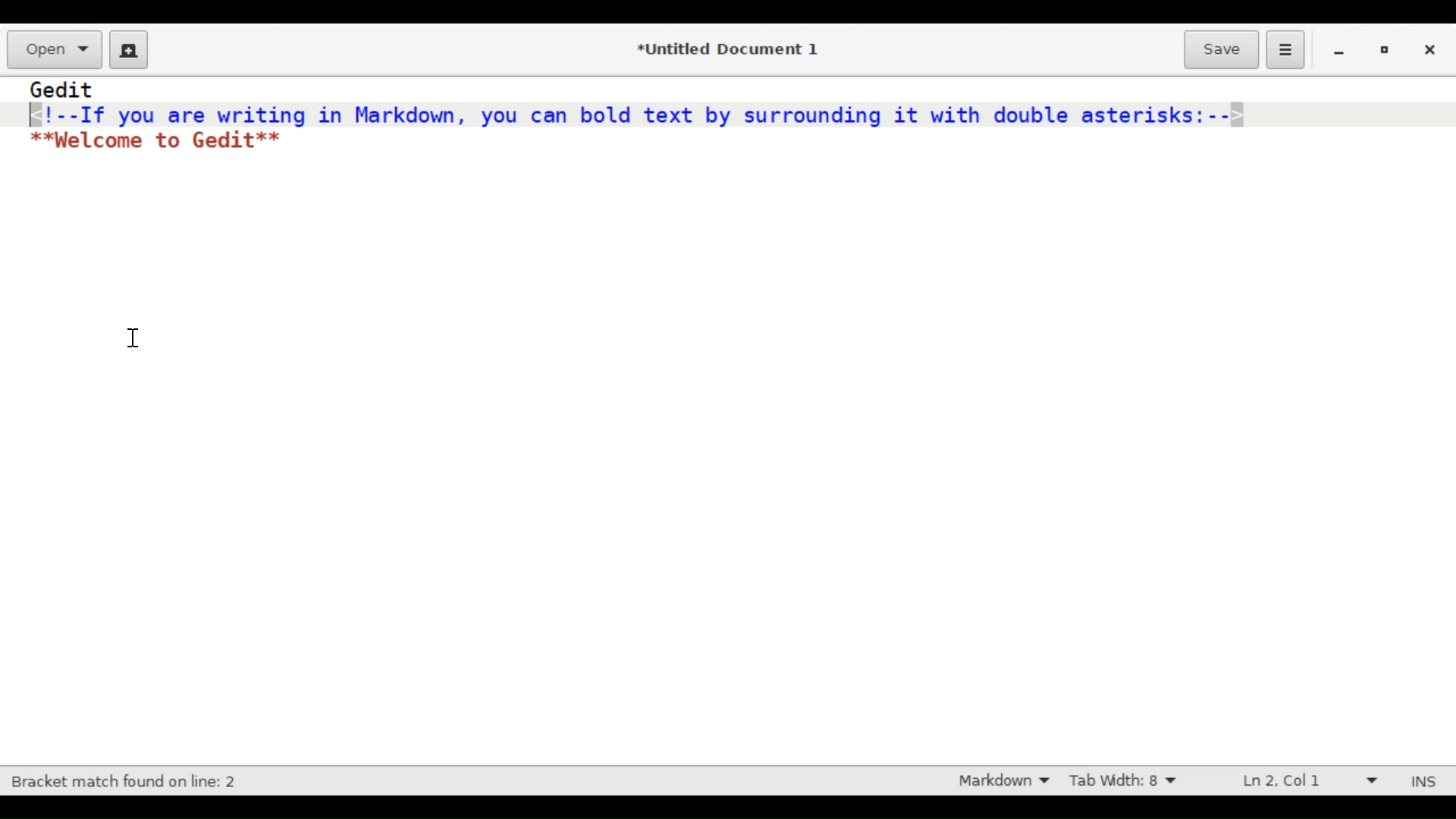 The height and width of the screenshot is (819, 1456). I want to click on cursor, so click(133, 332).